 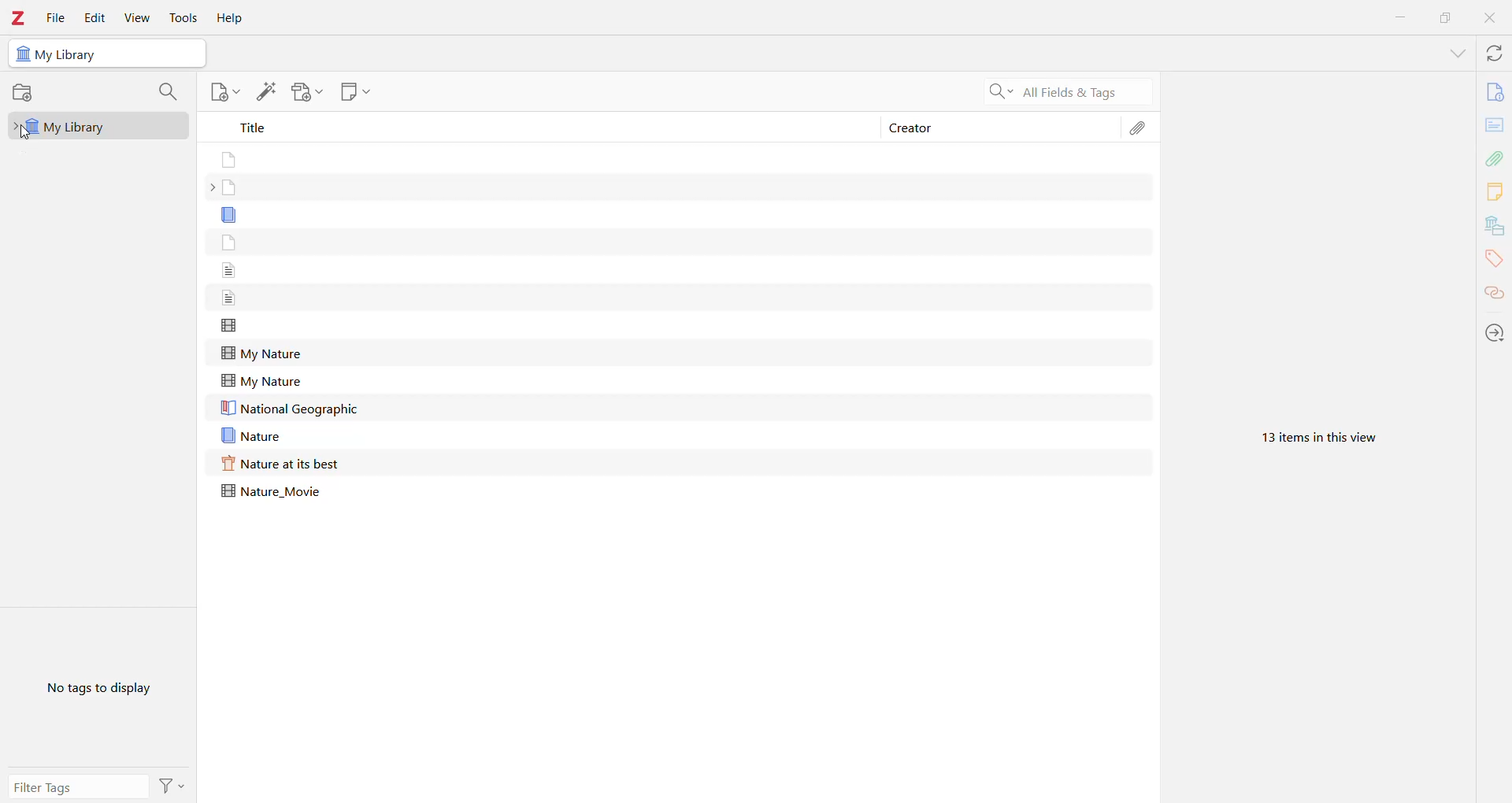 What do you see at coordinates (1495, 54) in the screenshot?
I see `Sync with zotero.org` at bounding box center [1495, 54].